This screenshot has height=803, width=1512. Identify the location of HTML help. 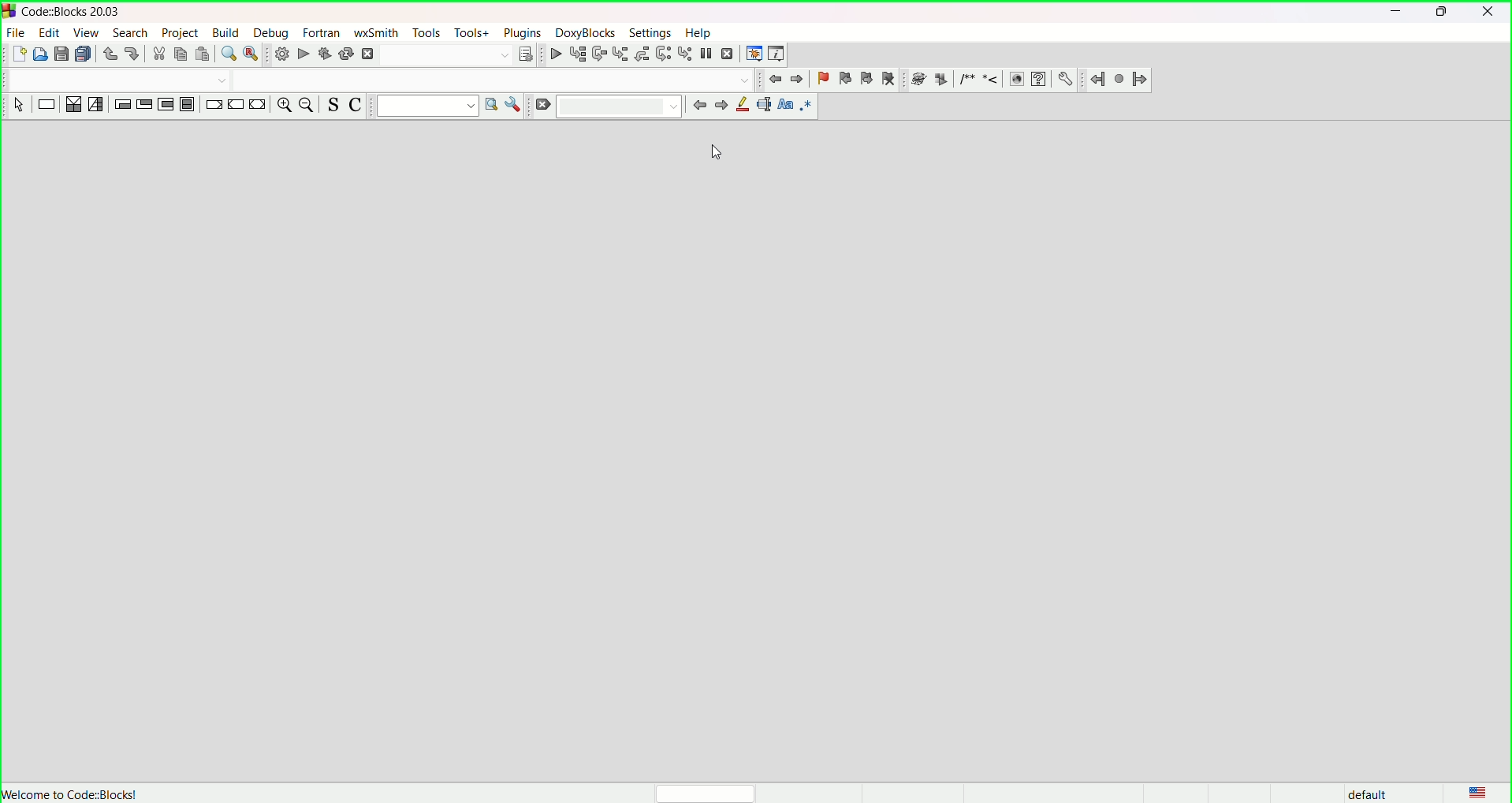
(1037, 79).